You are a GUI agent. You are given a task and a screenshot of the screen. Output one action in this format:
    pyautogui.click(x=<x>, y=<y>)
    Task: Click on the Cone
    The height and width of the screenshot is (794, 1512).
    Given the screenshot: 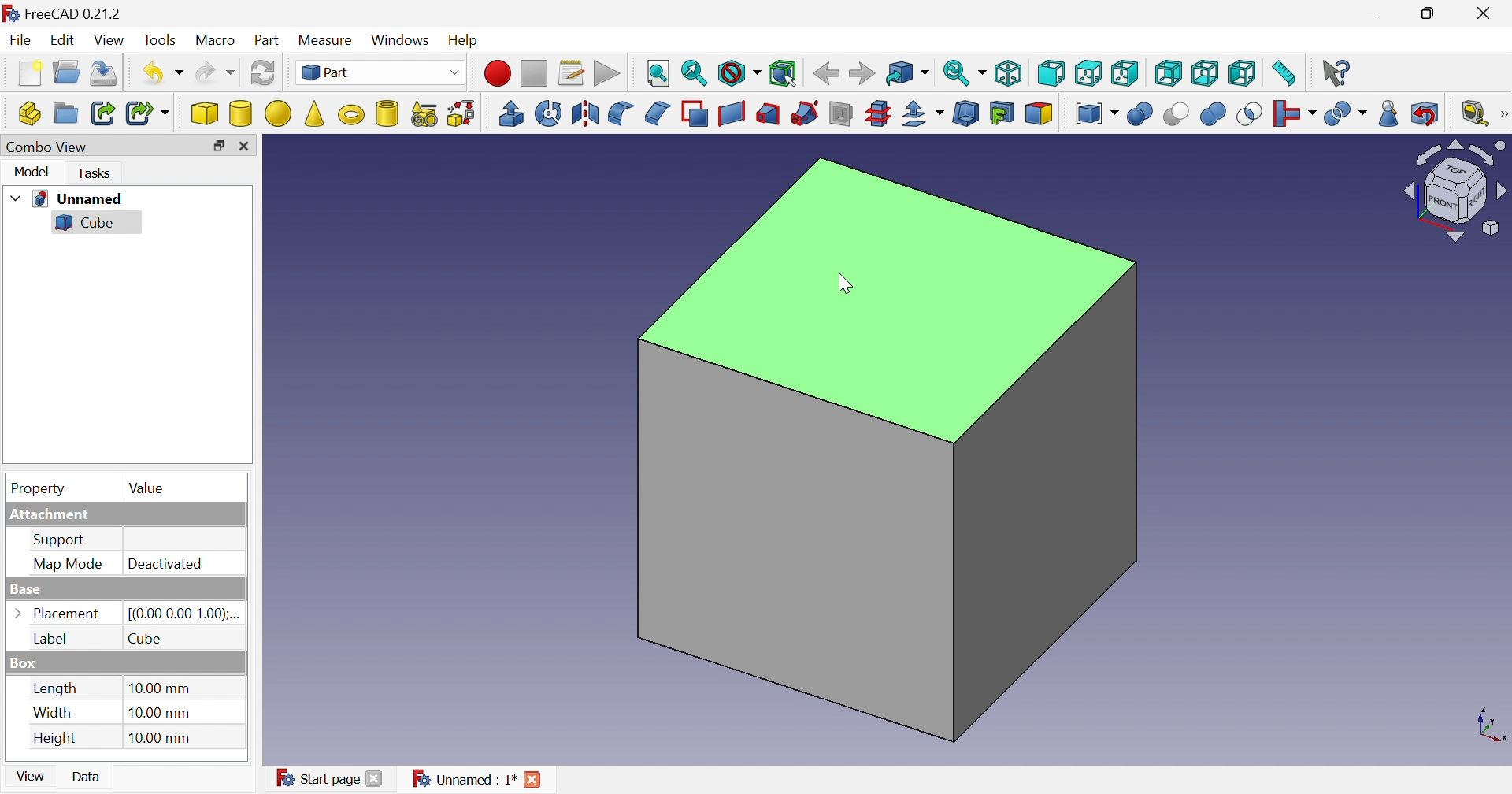 What is the action you would take?
    pyautogui.click(x=317, y=114)
    